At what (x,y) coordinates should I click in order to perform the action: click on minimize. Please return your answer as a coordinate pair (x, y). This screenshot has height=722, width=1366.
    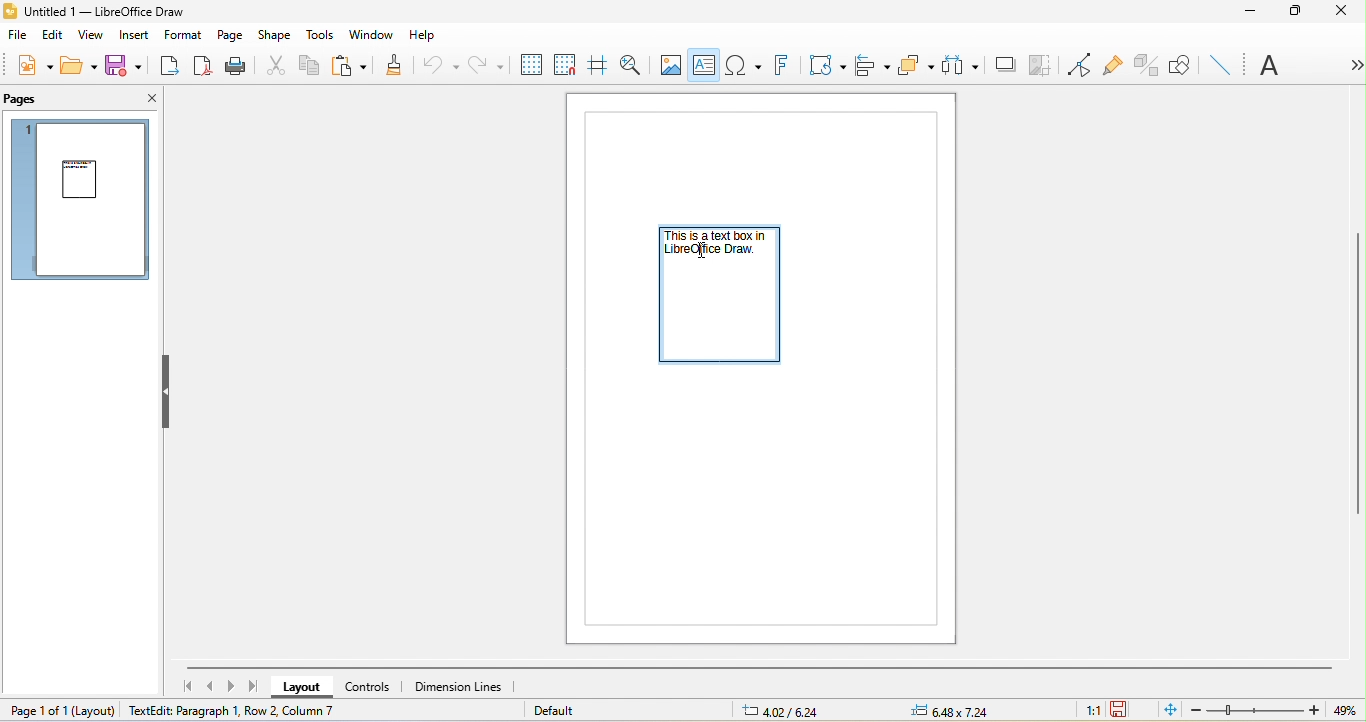
    Looking at the image, I should click on (1249, 12).